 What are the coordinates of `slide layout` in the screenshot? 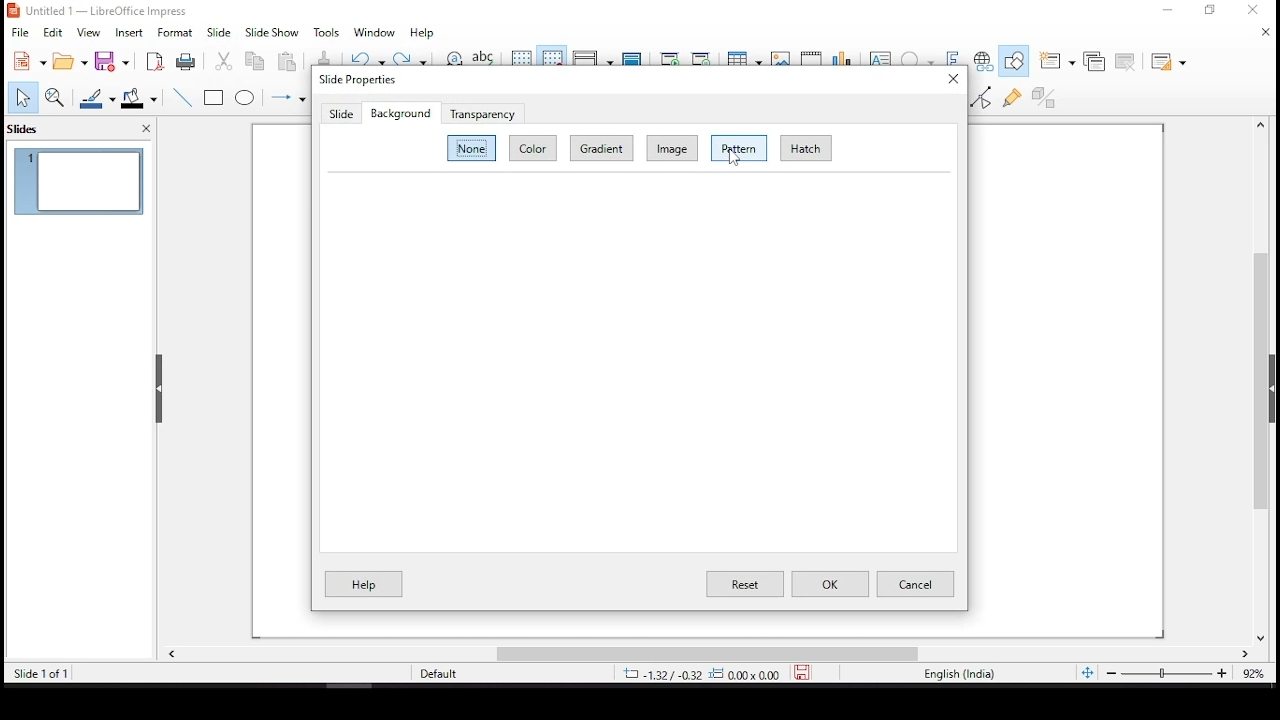 It's located at (1167, 59).